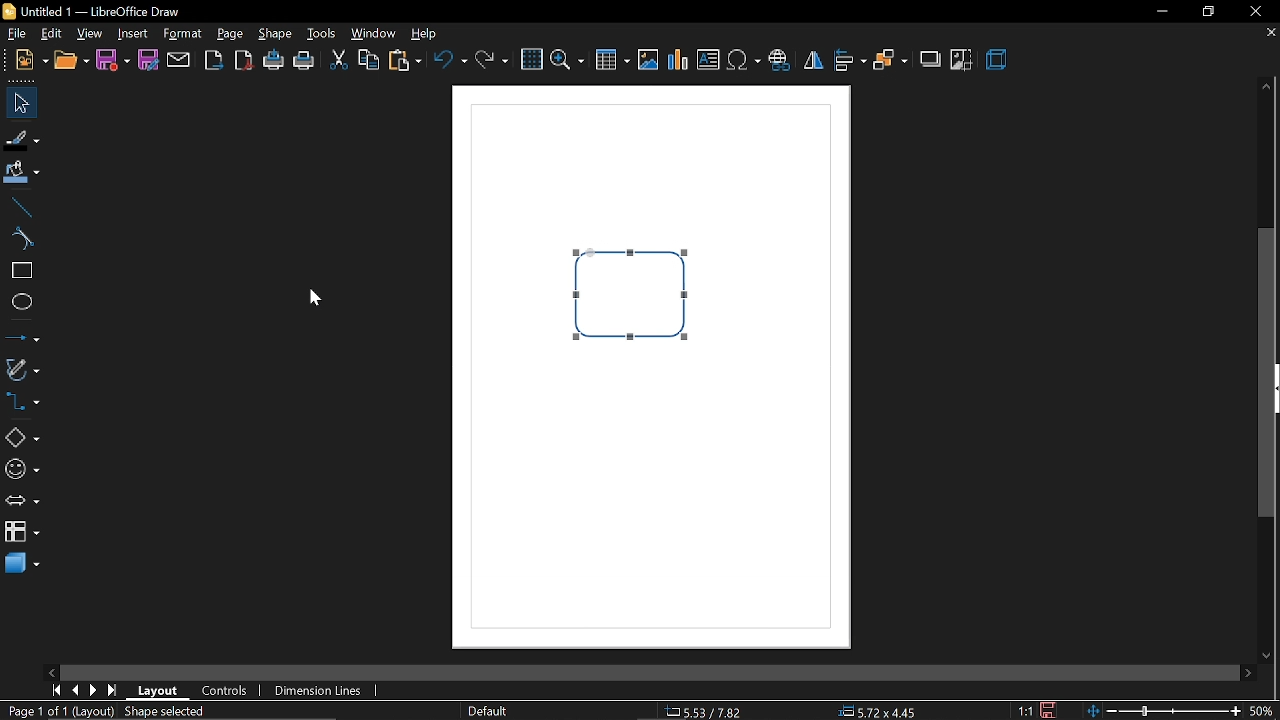 Image resolution: width=1280 pixels, height=720 pixels. I want to click on shadow, so click(928, 60).